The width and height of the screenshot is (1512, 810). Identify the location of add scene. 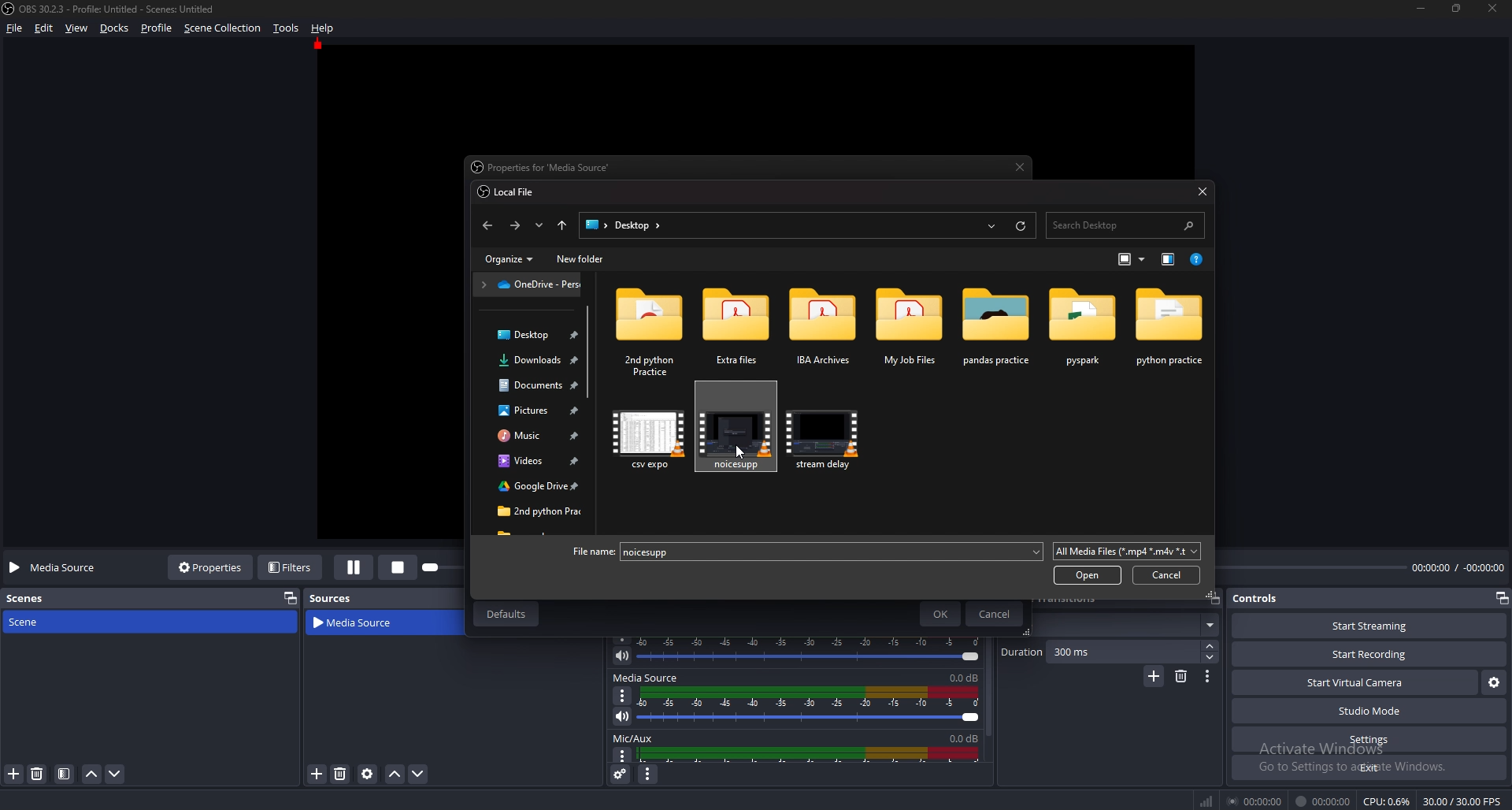
(15, 774).